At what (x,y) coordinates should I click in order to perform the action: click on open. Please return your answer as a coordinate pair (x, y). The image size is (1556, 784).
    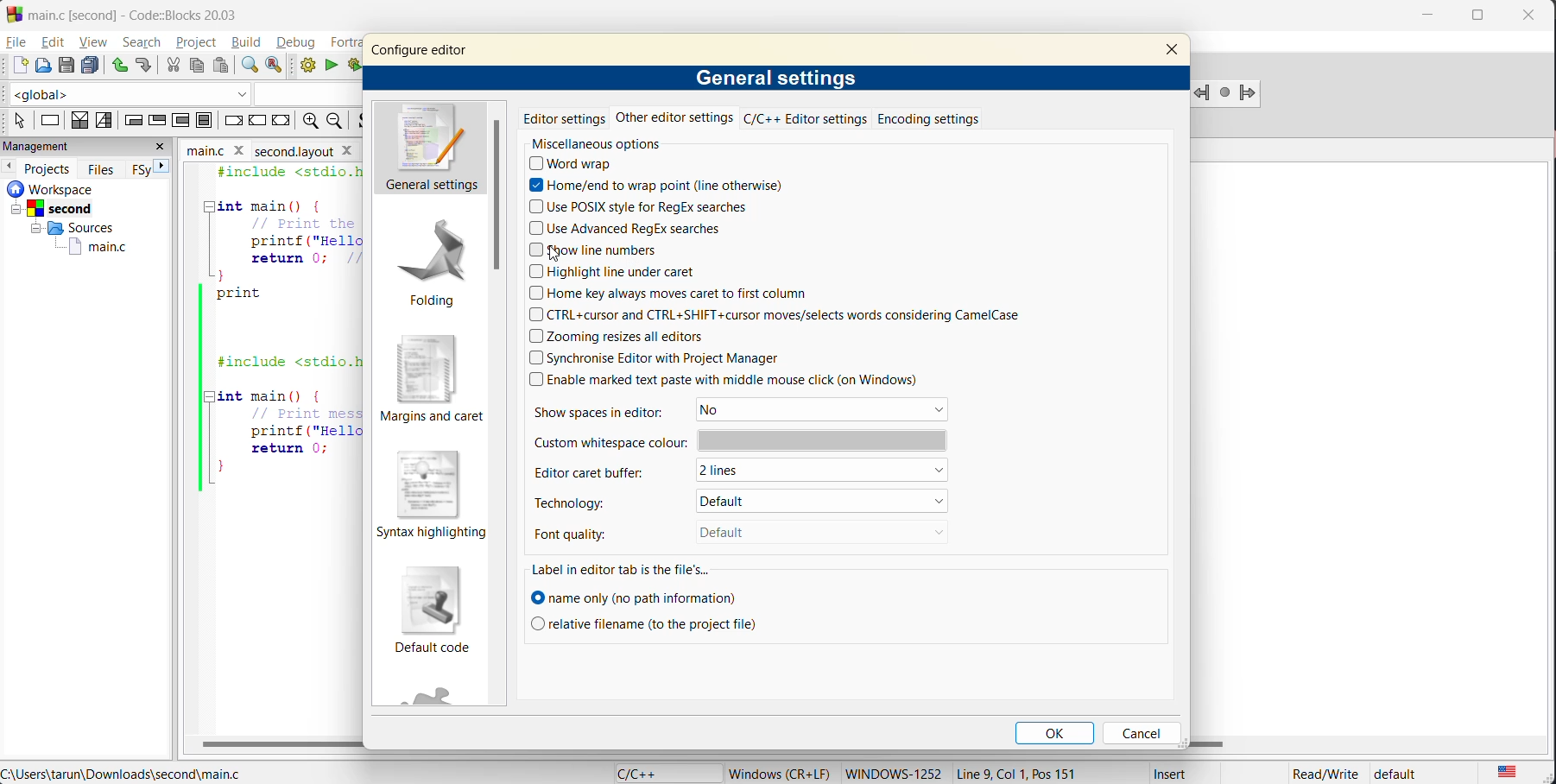
    Looking at the image, I should click on (45, 66).